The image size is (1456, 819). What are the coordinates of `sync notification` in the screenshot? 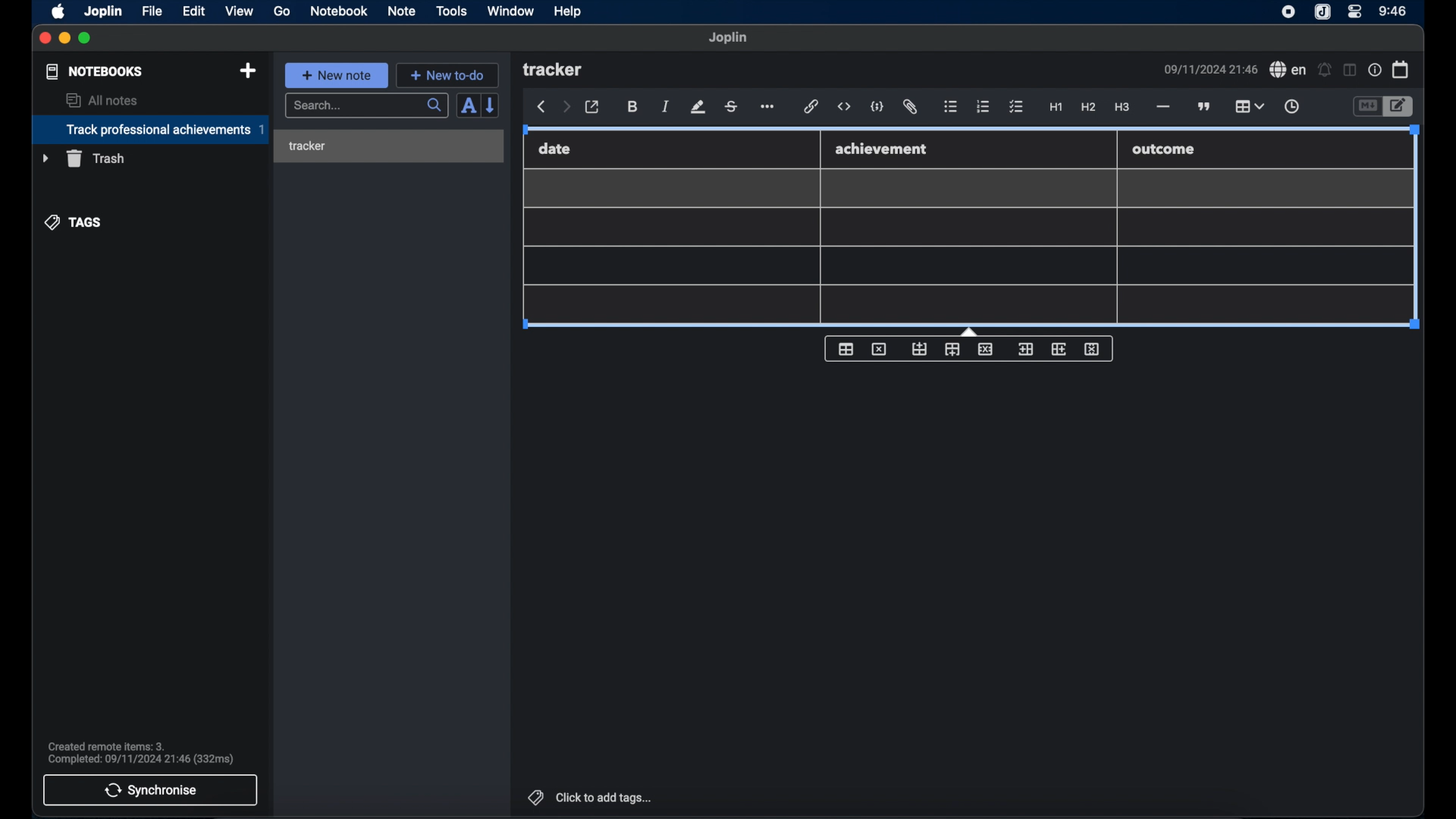 It's located at (140, 753).